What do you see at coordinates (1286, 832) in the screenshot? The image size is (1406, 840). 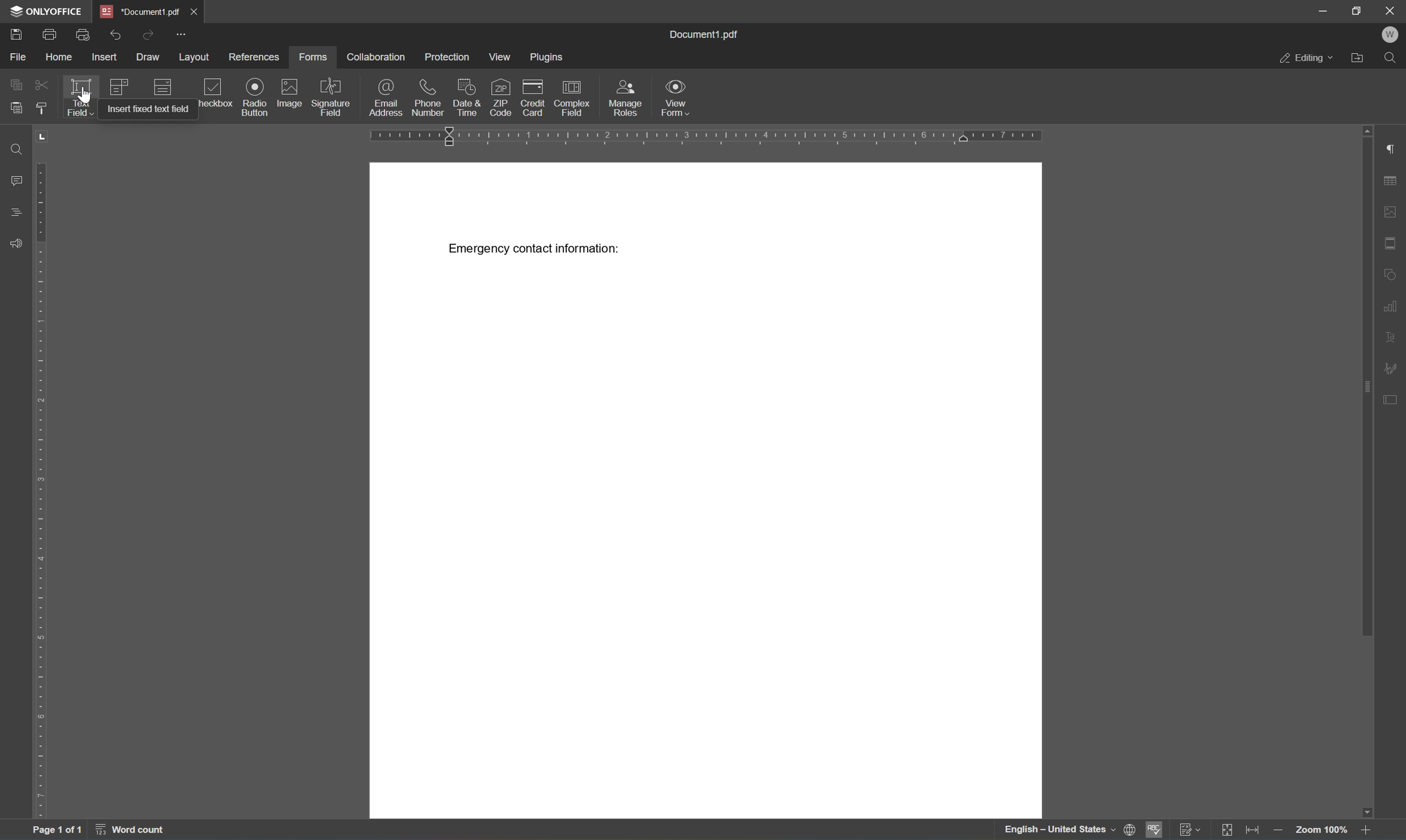 I see `zoom out` at bounding box center [1286, 832].